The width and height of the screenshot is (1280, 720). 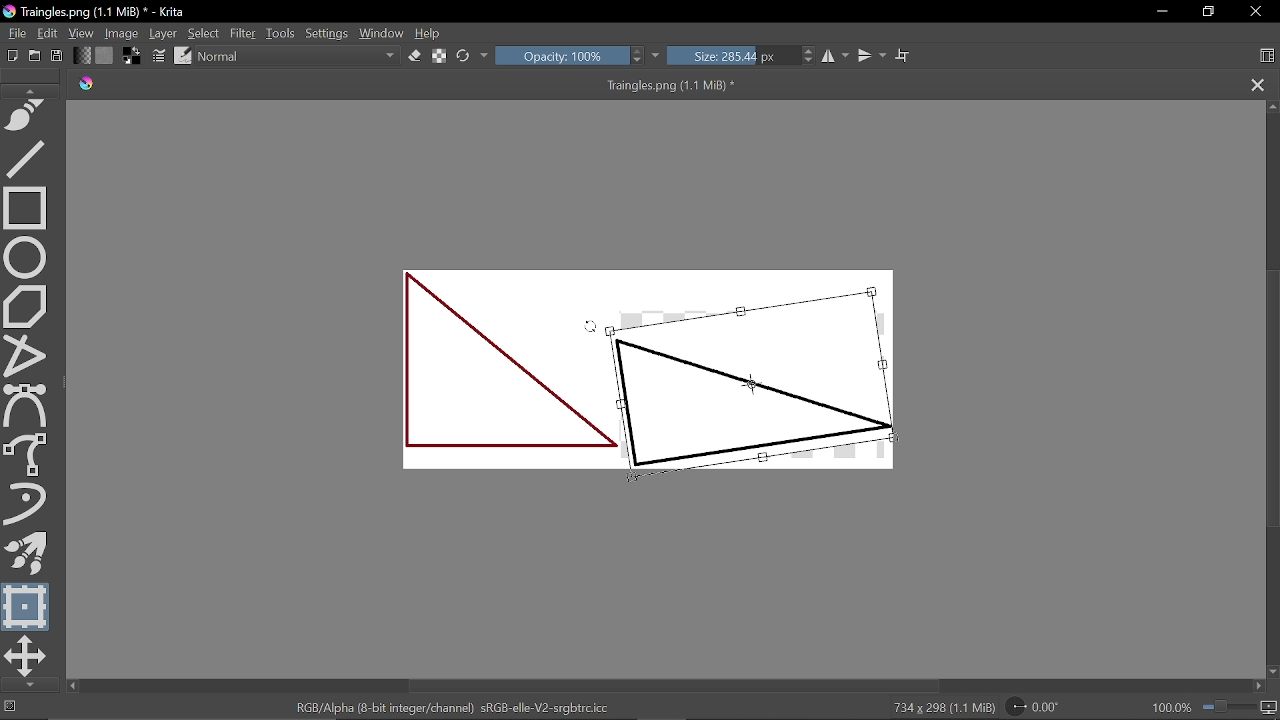 I want to click on Freehand path tool, so click(x=29, y=117).